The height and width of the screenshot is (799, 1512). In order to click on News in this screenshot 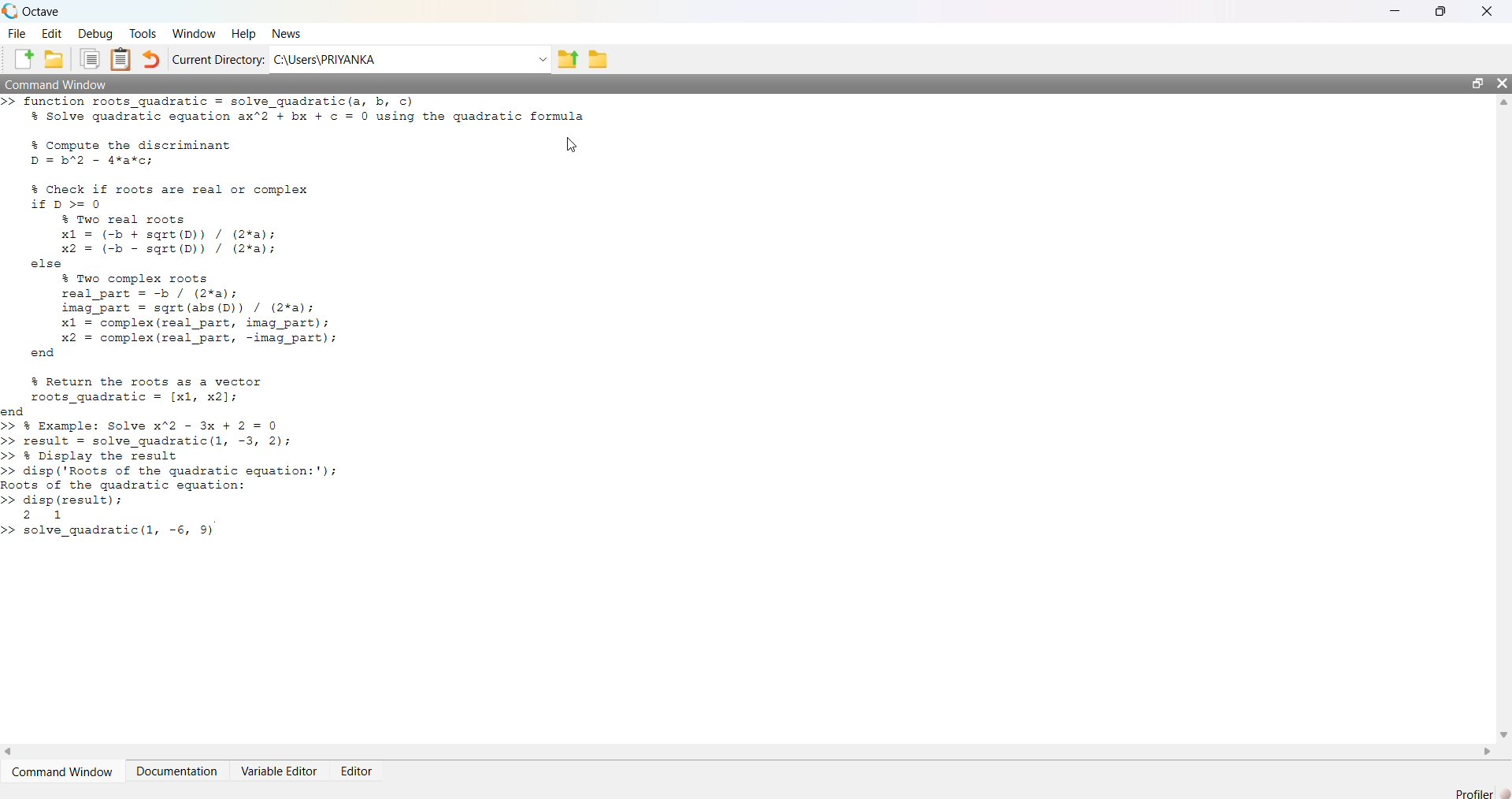, I will do `click(288, 32)`.